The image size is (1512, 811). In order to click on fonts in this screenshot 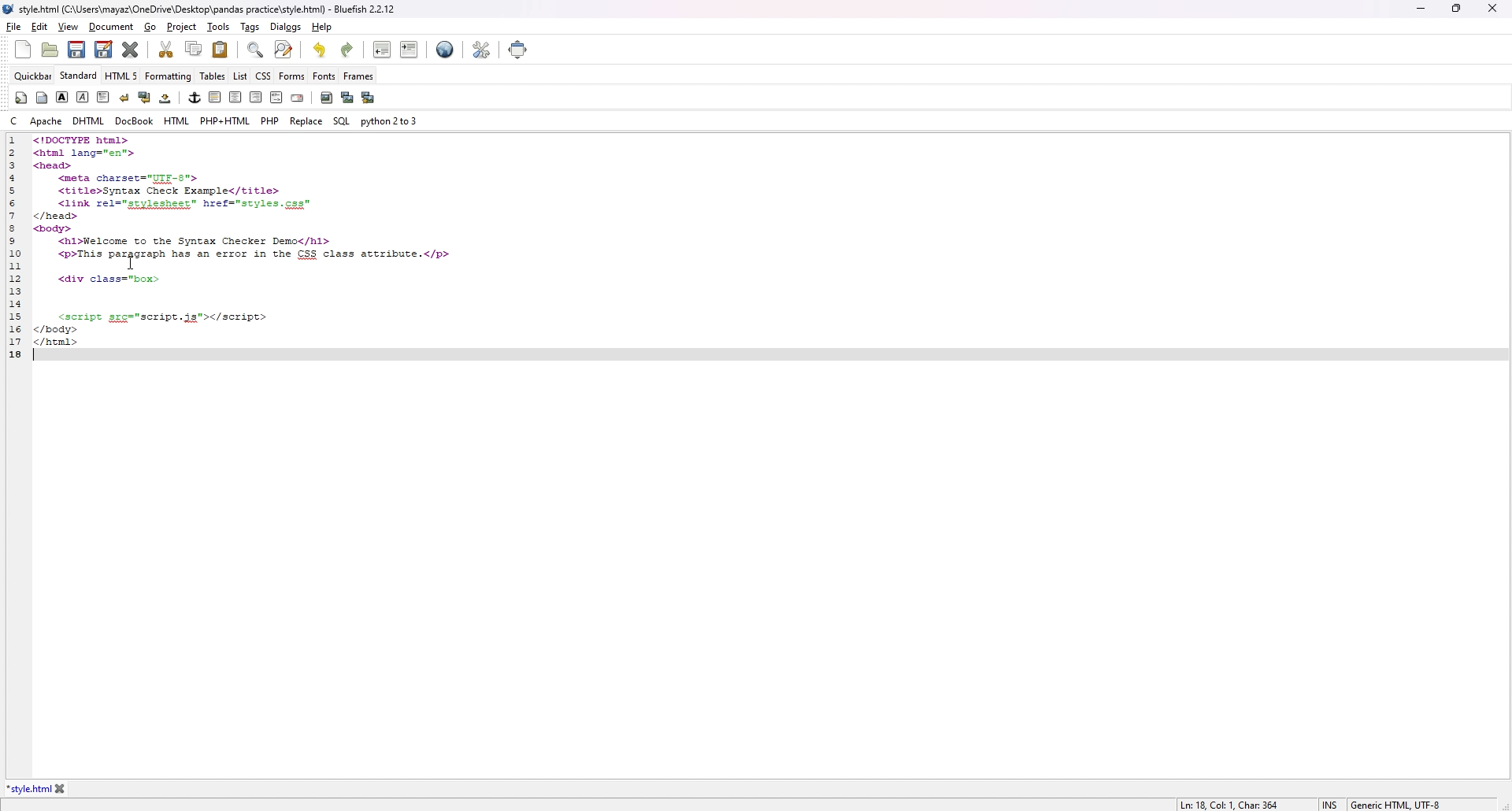, I will do `click(324, 77)`.